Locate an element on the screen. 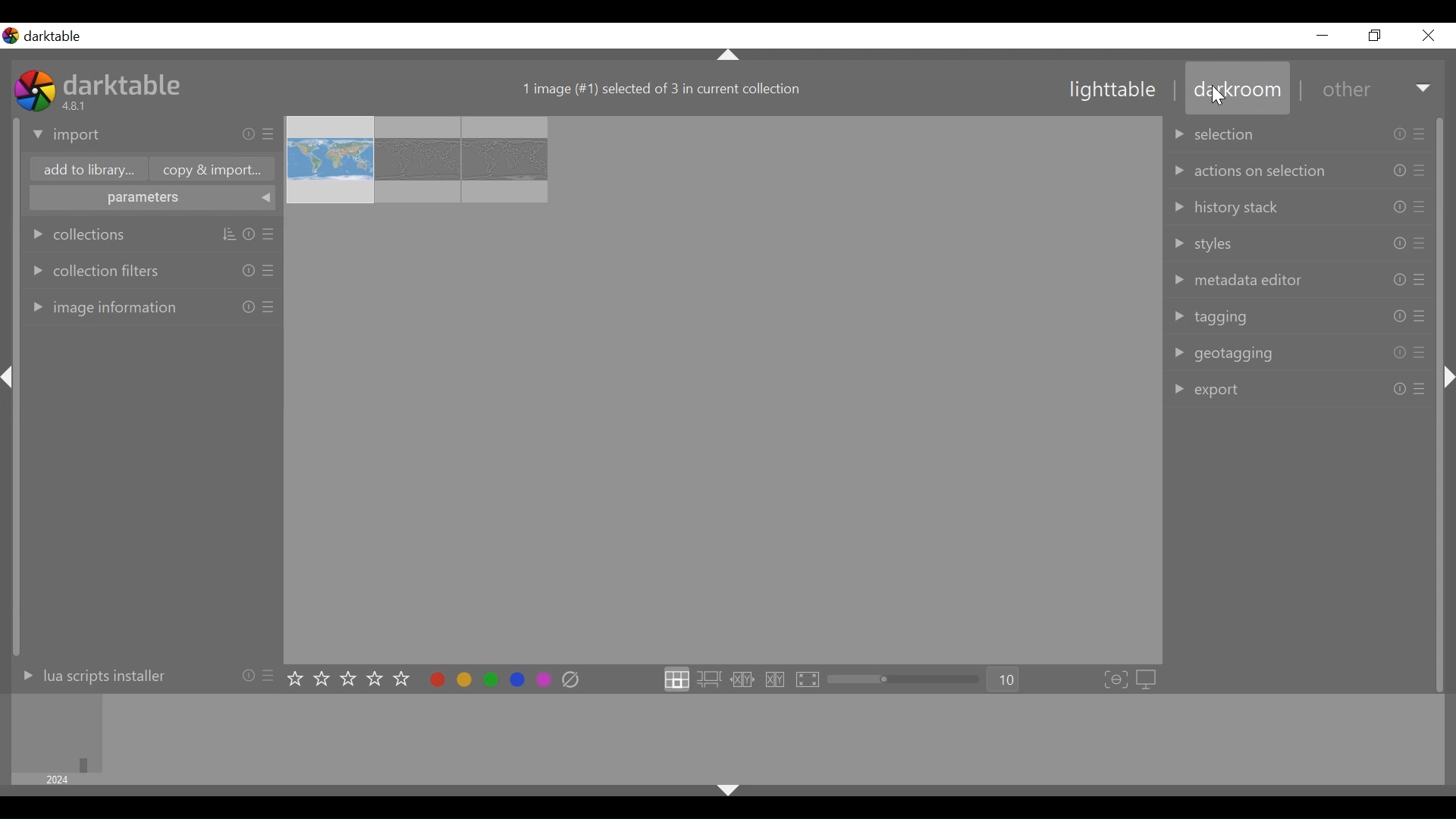  close is located at coordinates (1431, 36).